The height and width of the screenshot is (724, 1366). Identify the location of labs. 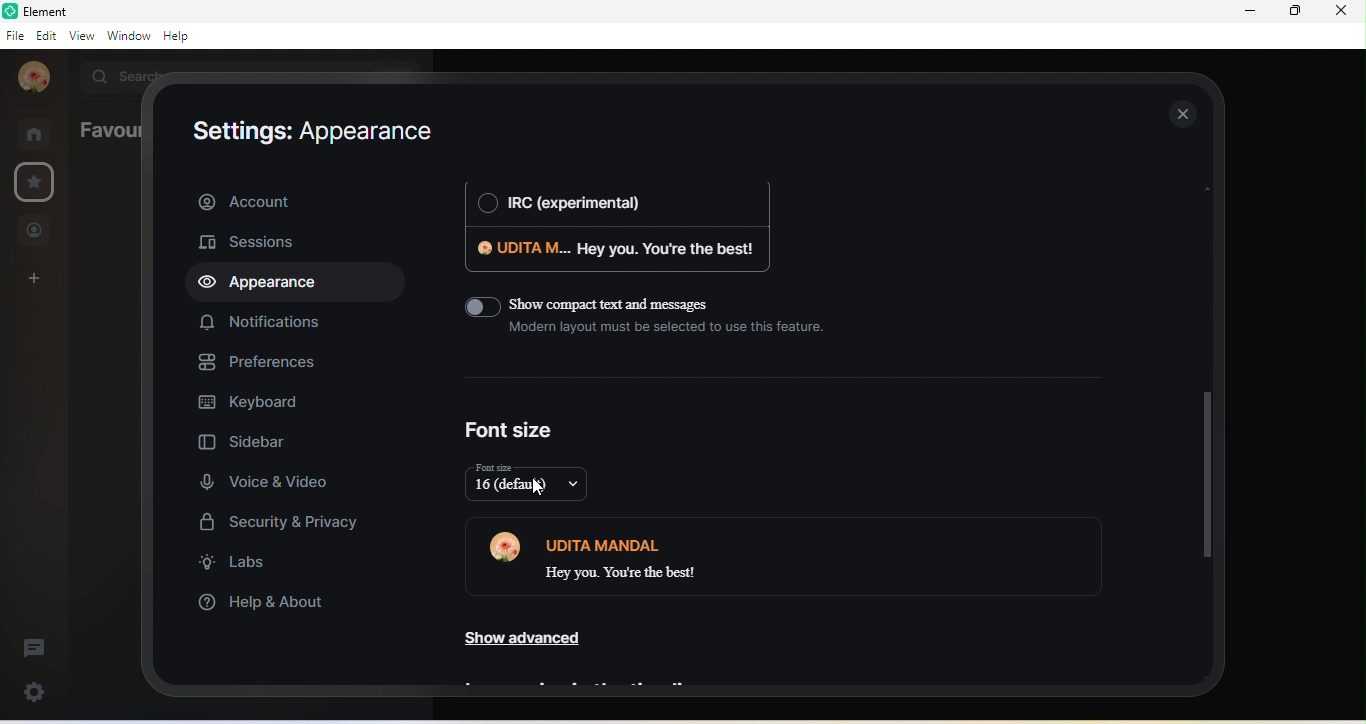
(238, 566).